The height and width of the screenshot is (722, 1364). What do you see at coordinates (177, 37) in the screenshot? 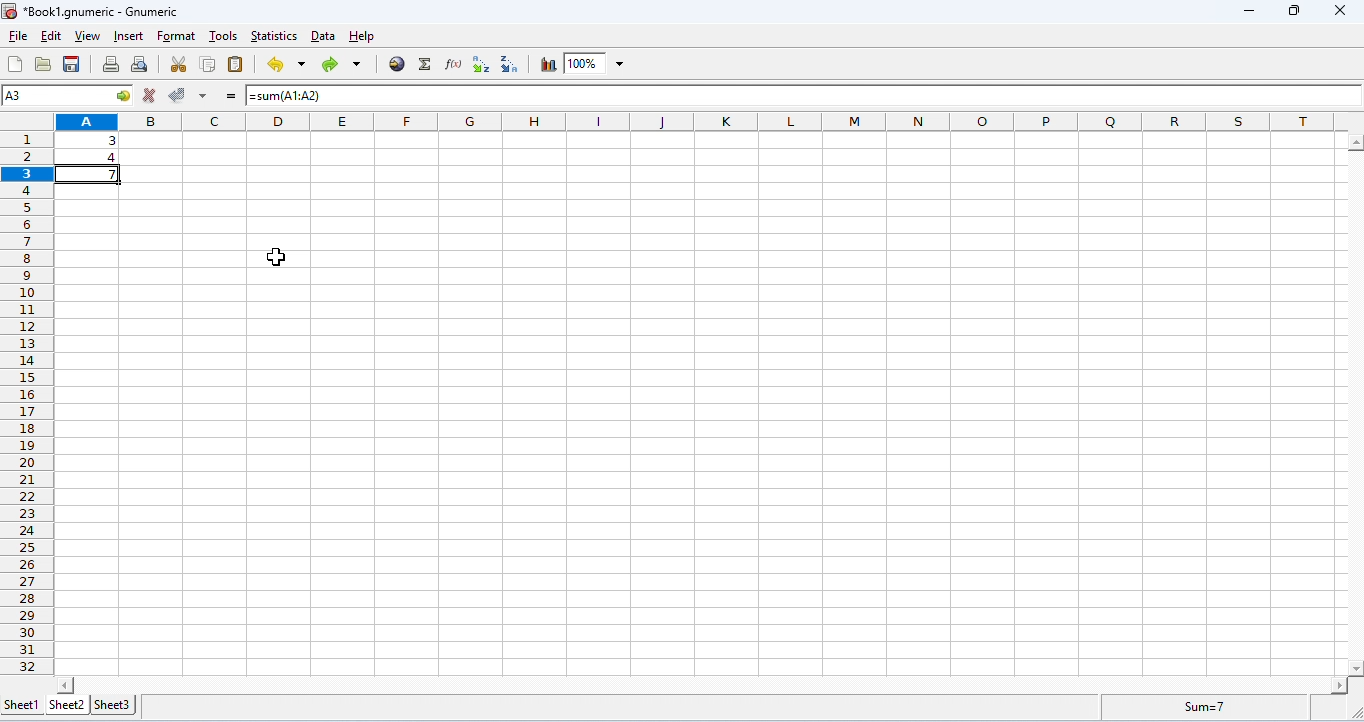
I see `format` at bounding box center [177, 37].